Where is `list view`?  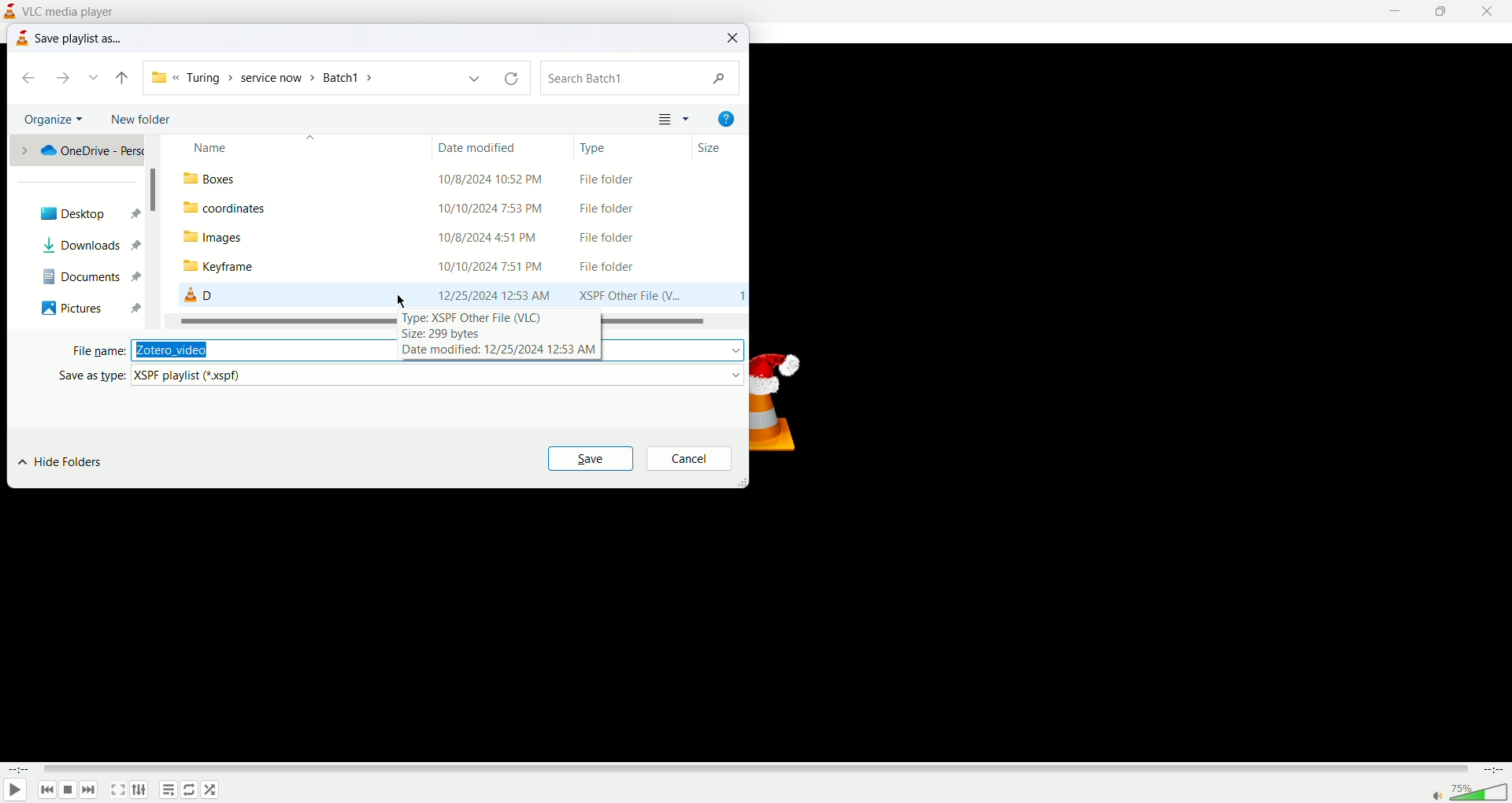
list view is located at coordinates (675, 118).